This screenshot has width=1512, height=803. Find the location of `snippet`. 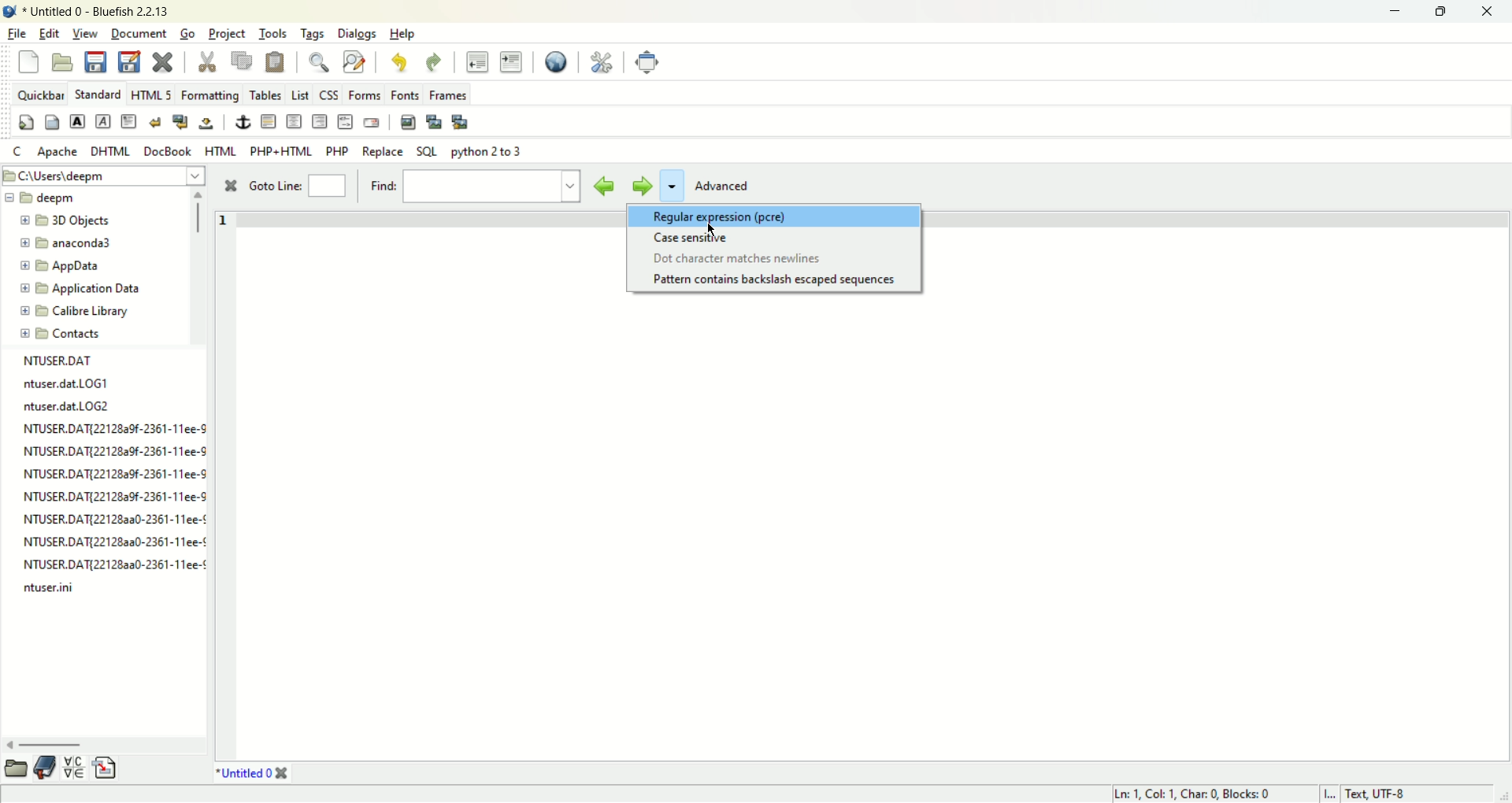

snippet is located at coordinates (106, 770).